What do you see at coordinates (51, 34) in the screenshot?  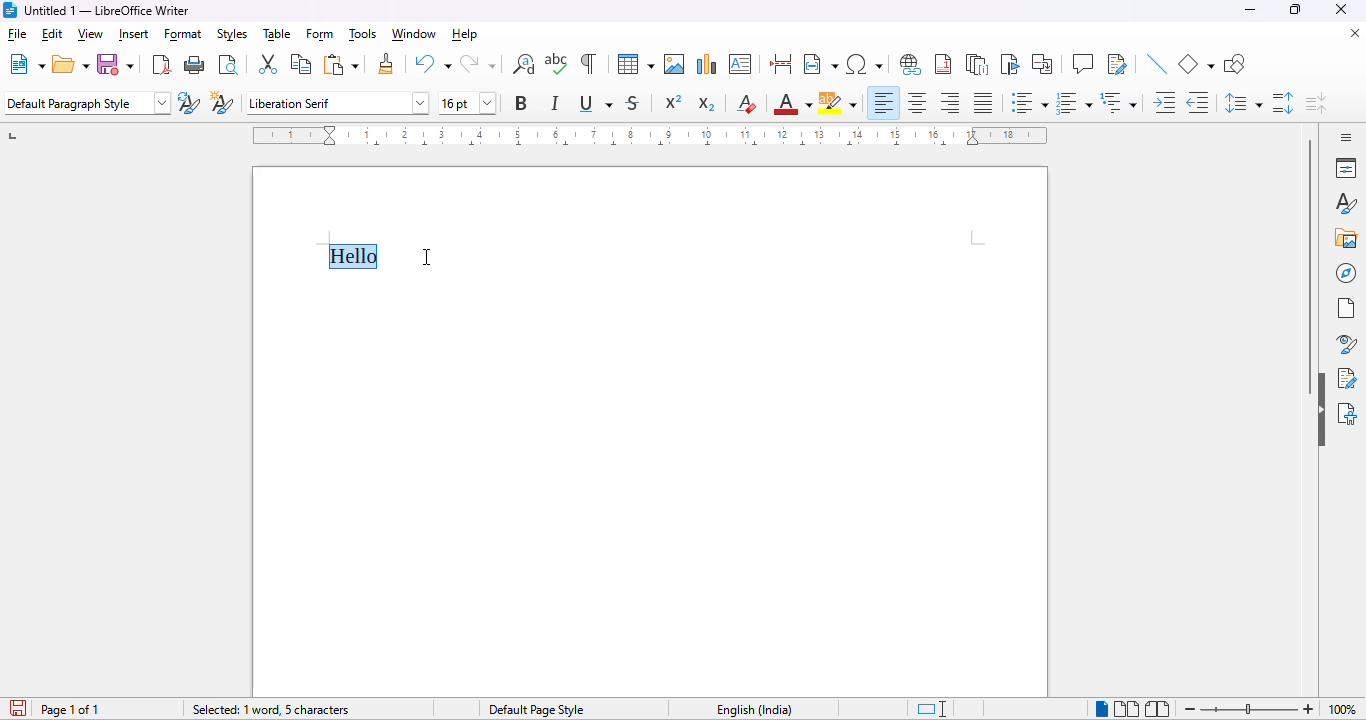 I see `edit` at bounding box center [51, 34].